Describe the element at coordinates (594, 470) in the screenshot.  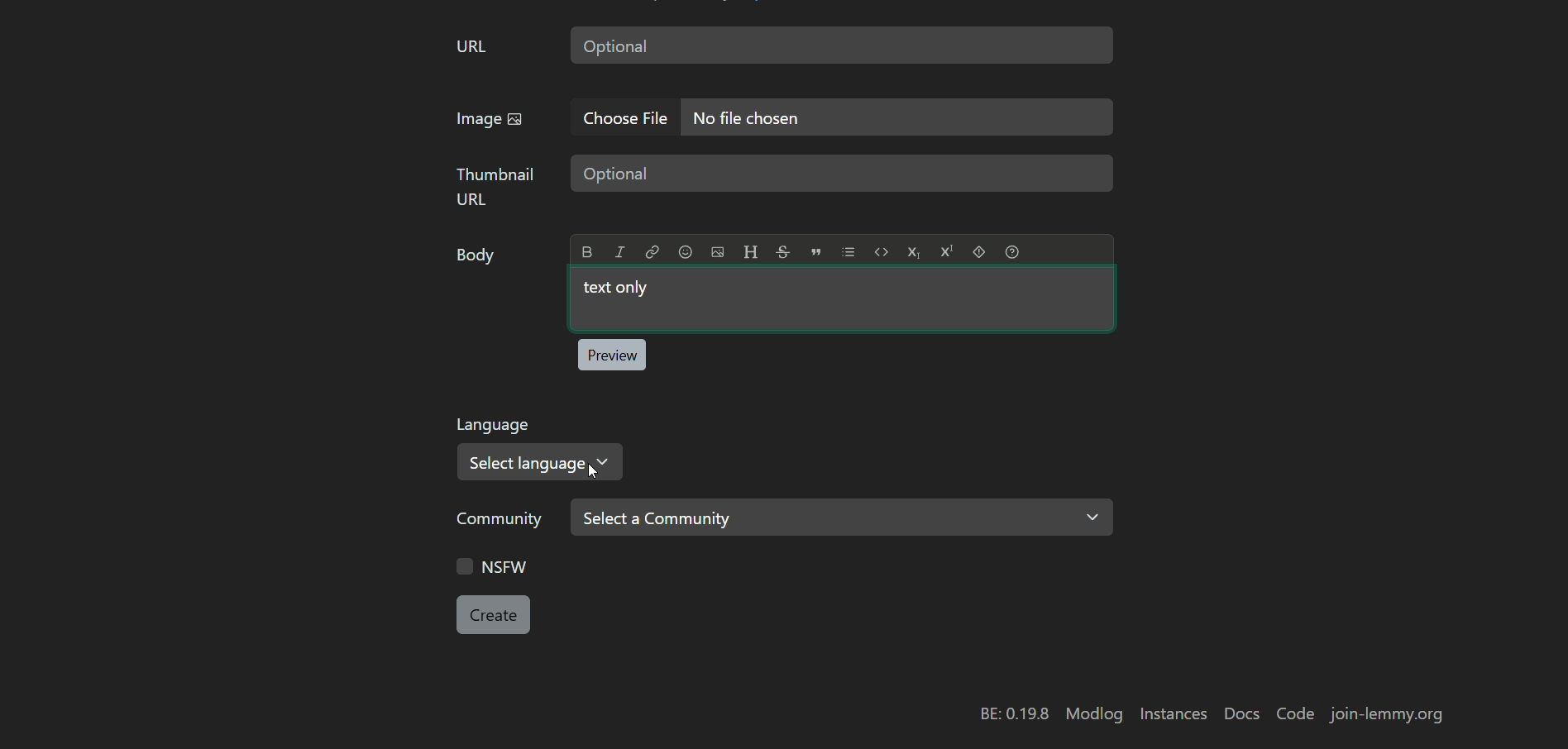
I see `cursor` at that location.